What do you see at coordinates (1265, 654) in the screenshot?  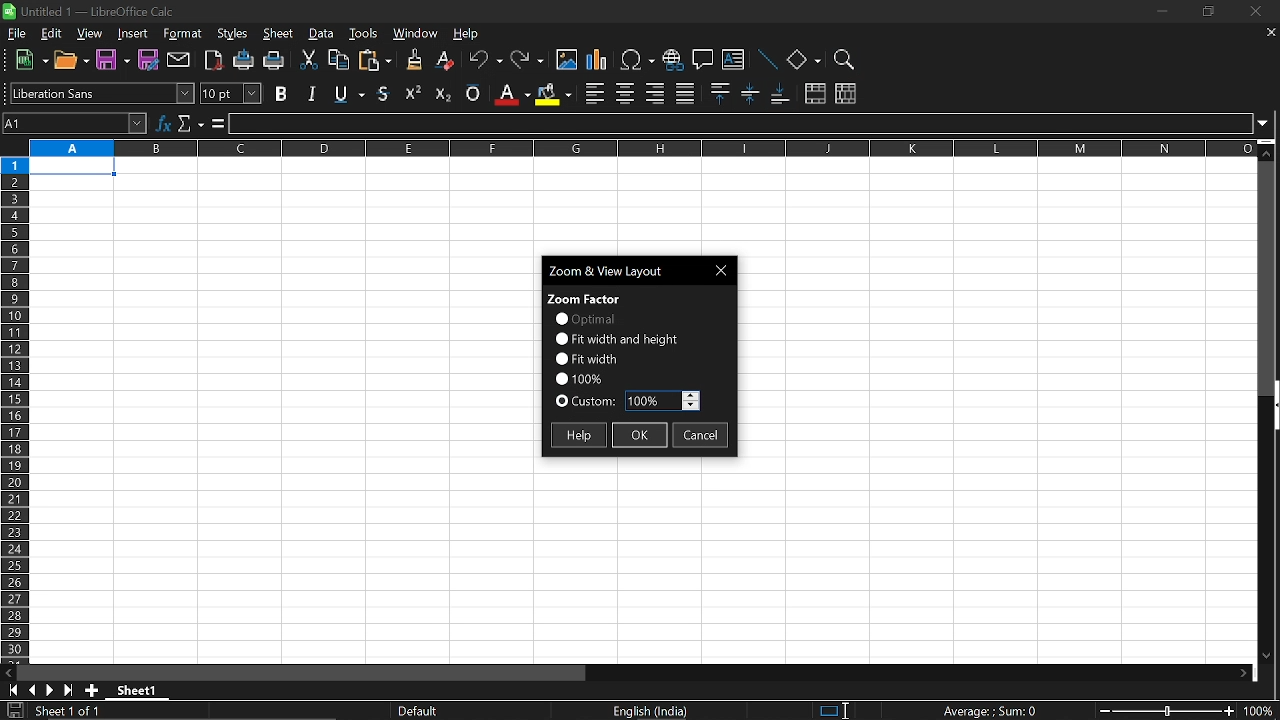 I see `Move down` at bounding box center [1265, 654].